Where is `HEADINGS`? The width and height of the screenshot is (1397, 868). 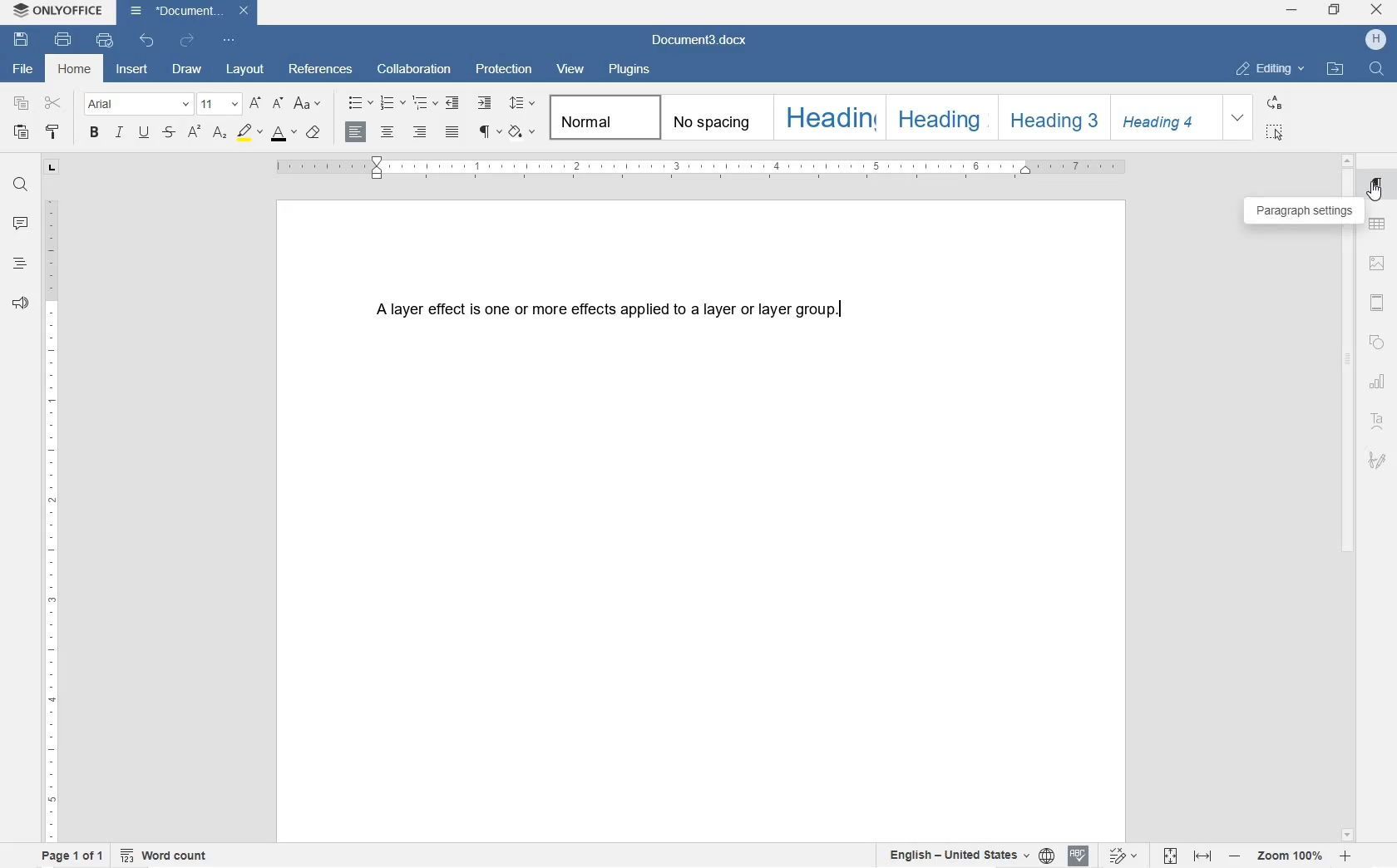 HEADINGS is located at coordinates (19, 265).